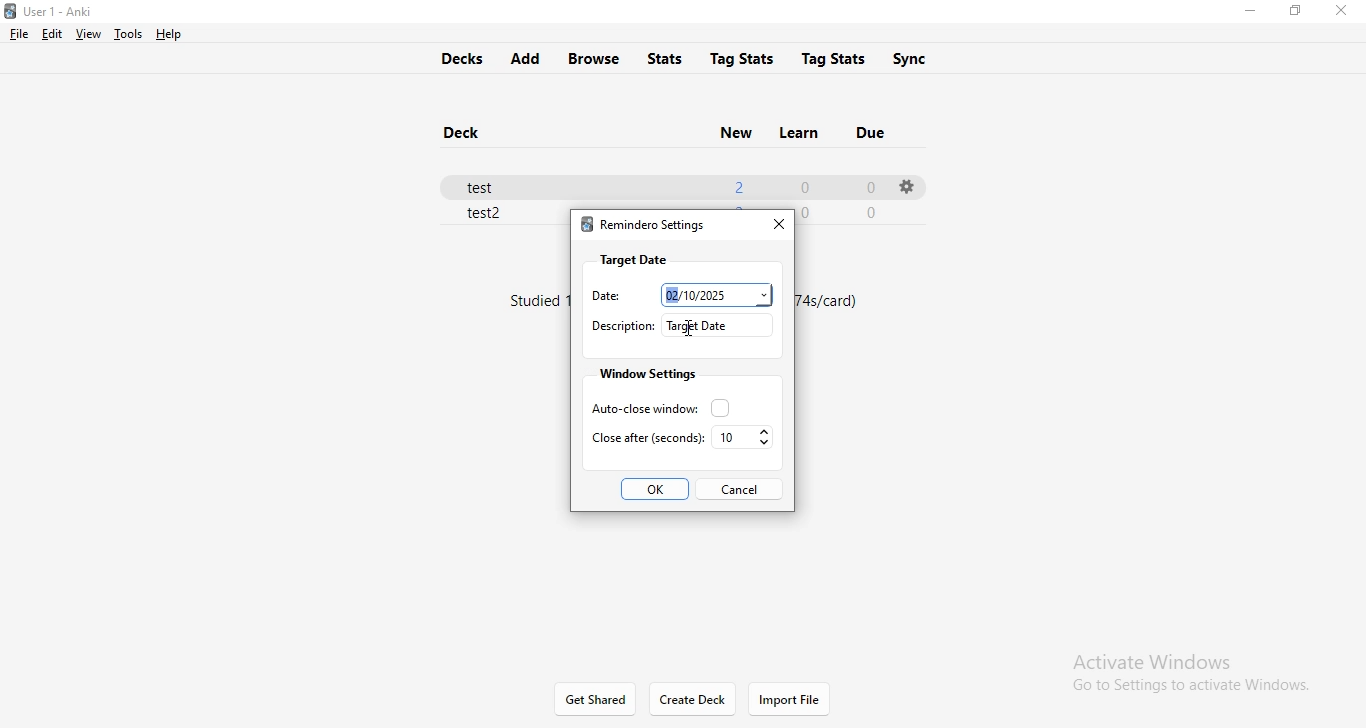 Image resolution: width=1366 pixels, height=728 pixels. What do you see at coordinates (642, 227) in the screenshot?
I see `remindero settings` at bounding box center [642, 227].